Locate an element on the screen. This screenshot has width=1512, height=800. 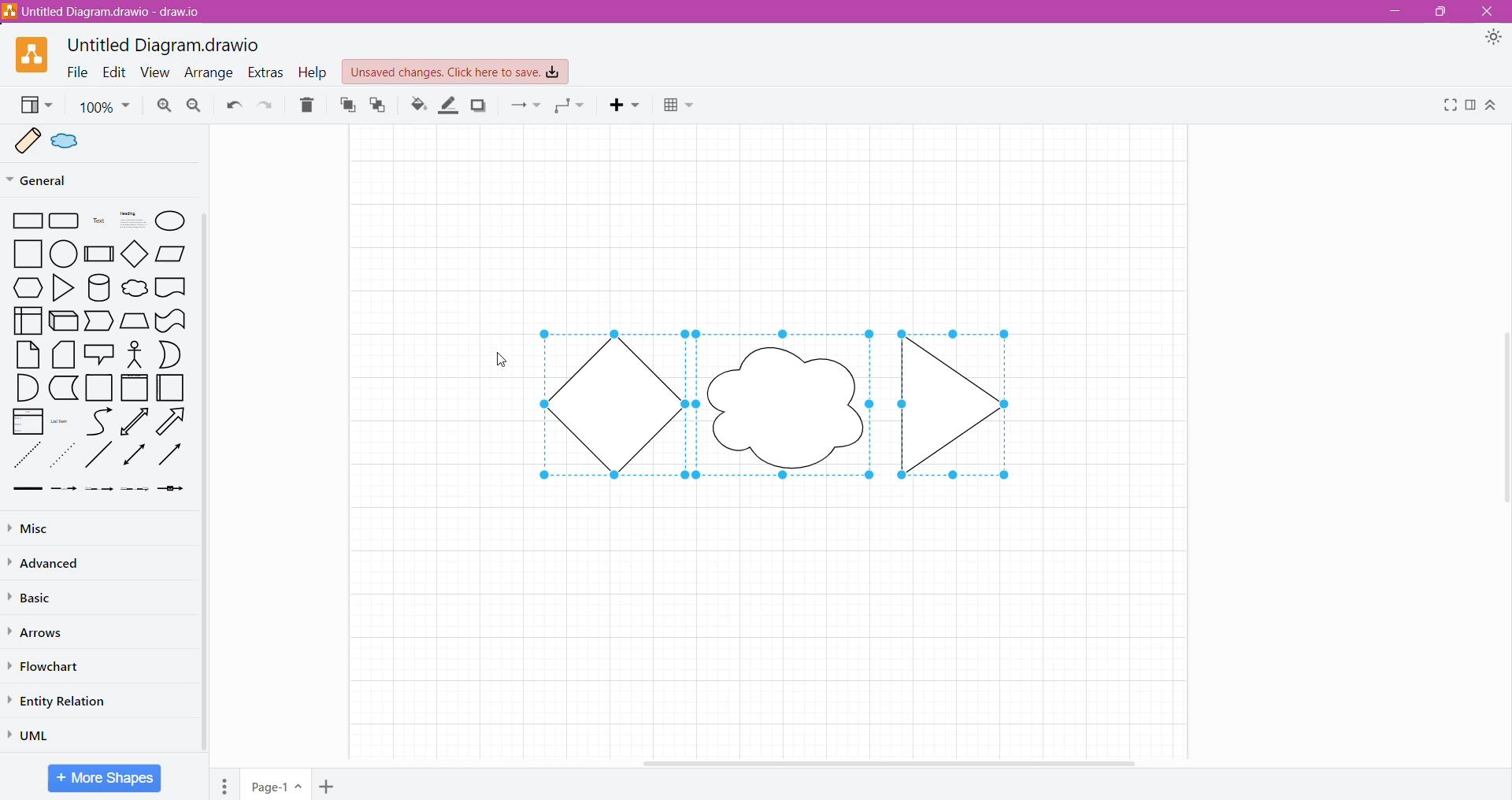
Fill Color is located at coordinates (414, 106).